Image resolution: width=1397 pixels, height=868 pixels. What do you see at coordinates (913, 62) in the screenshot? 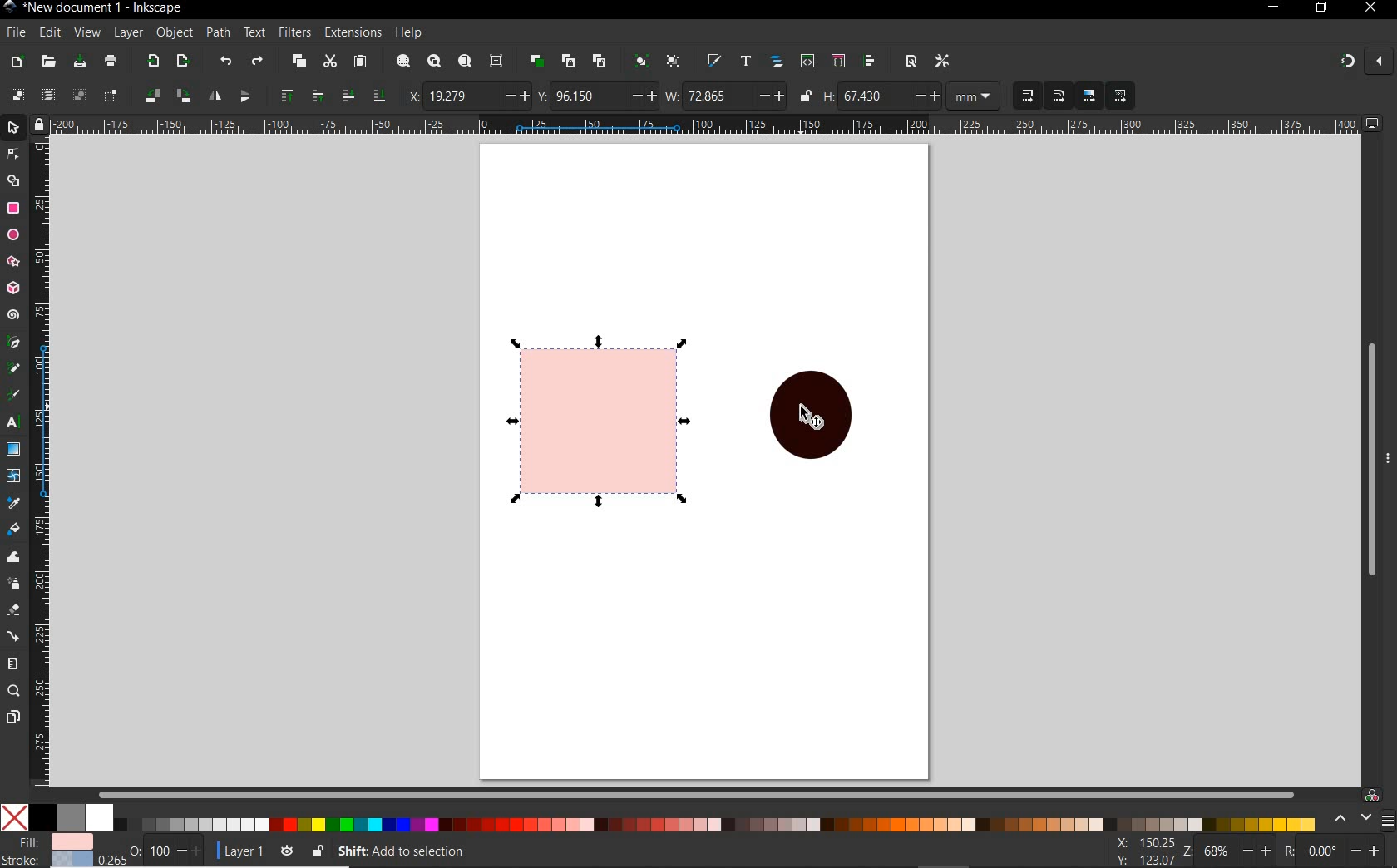
I see `open document proper` at bounding box center [913, 62].